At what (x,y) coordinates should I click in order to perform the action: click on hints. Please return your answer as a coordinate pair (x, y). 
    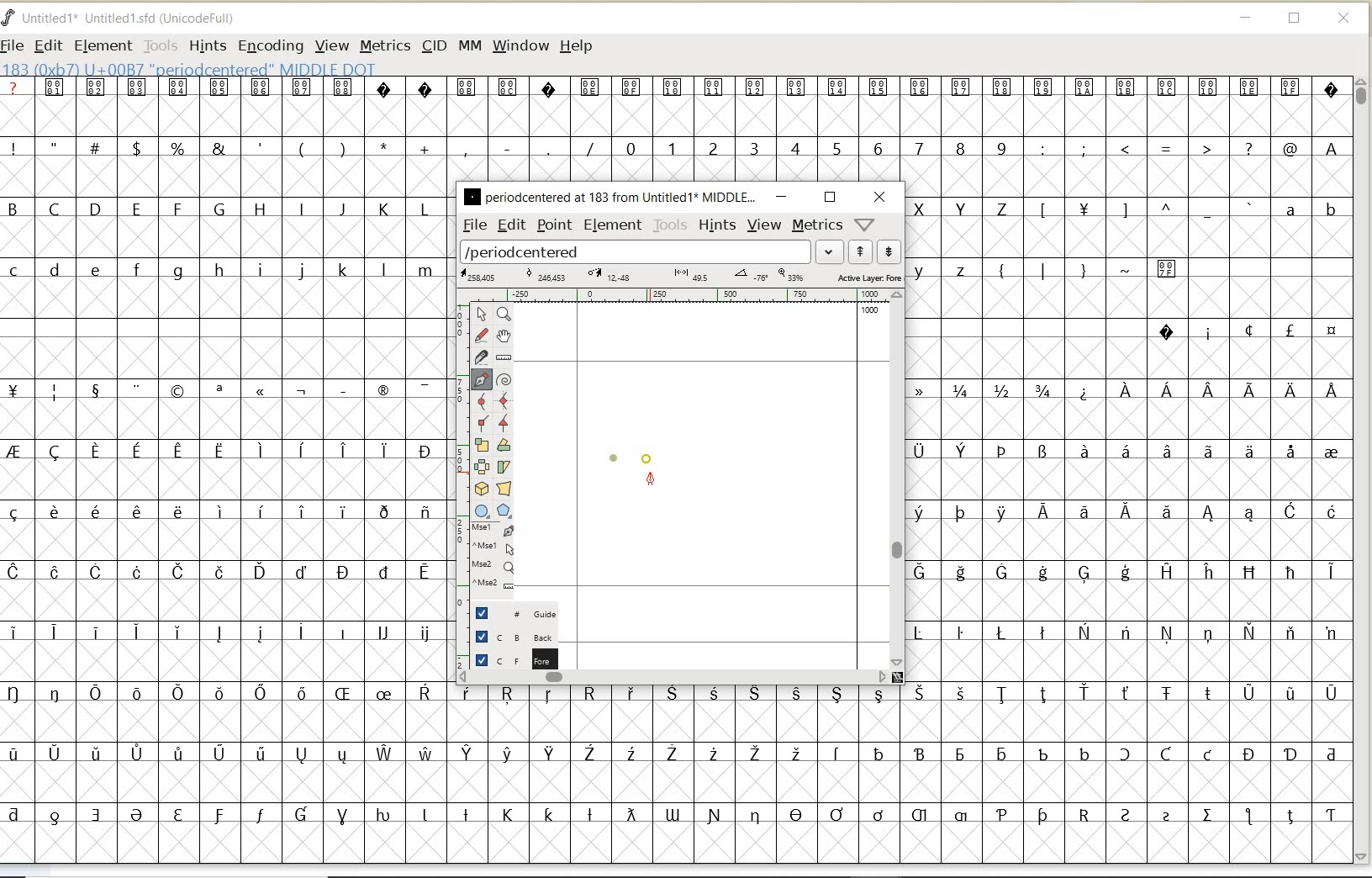
    Looking at the image, I should click on (718, 225).